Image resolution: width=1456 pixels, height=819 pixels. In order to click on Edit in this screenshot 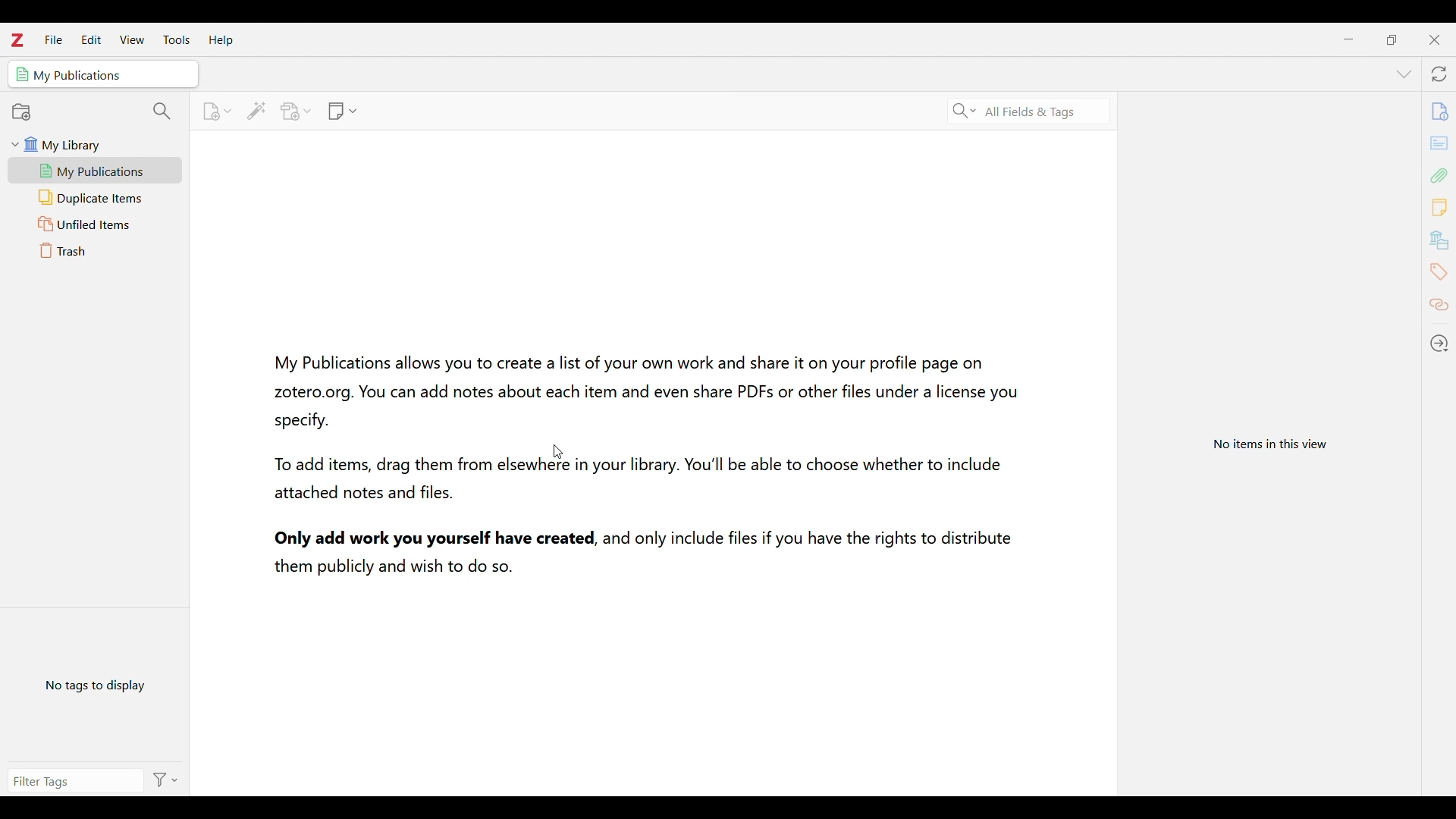, I will do `click(91, 39)`.